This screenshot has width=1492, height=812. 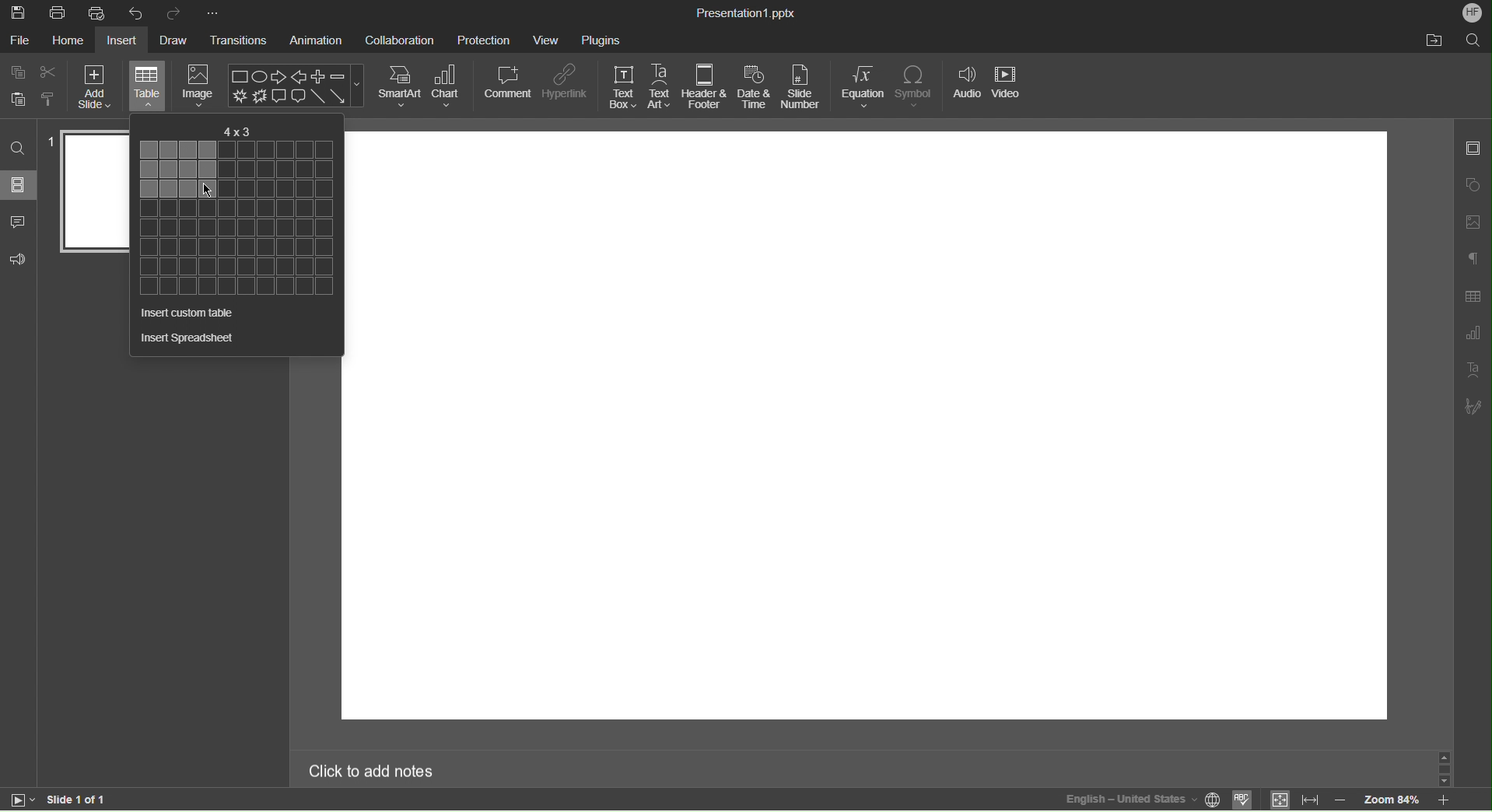 What do you see at coordinates (1473, 334) in the screenshot?
I see `Graph Settings` at bounding box center [1473, 334].